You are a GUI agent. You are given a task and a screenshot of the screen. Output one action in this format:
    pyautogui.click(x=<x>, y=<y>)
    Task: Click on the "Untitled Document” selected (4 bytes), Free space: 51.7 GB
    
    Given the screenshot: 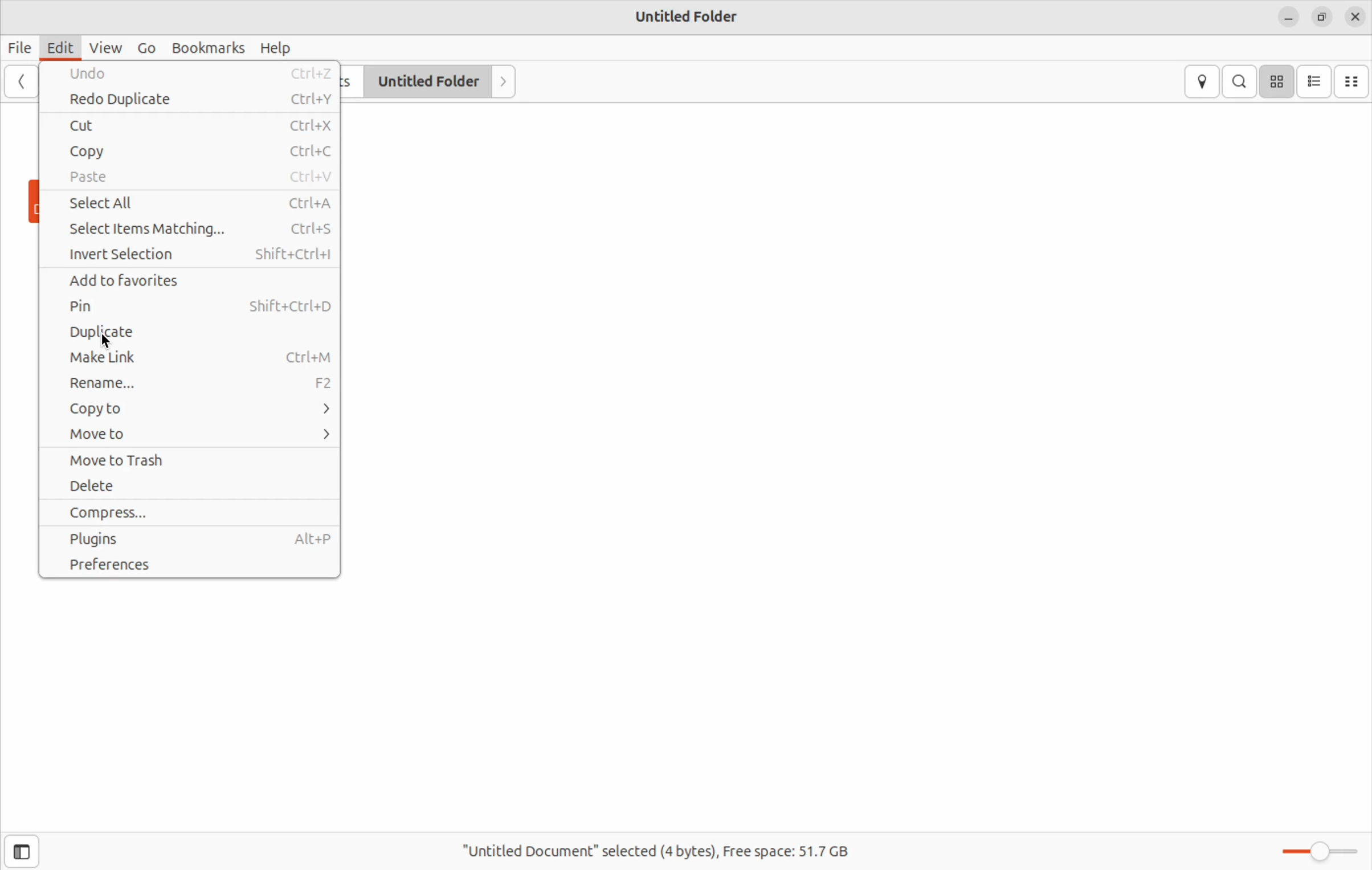 What is the action you would take?
    pyautogui.click(x=677, y=848)
    